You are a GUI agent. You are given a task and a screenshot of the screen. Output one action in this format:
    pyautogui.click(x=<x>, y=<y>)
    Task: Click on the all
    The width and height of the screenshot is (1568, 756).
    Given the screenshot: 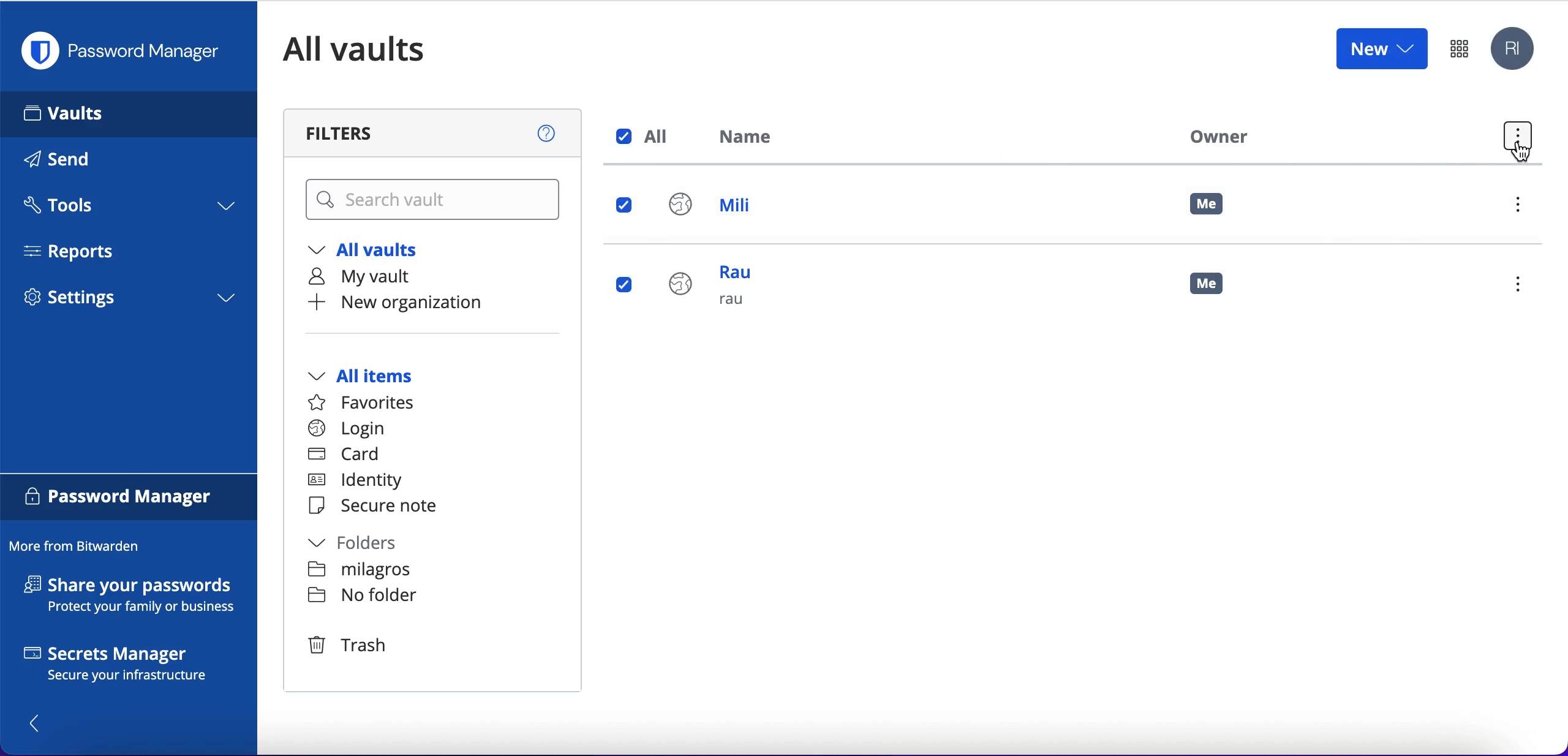 What is the action you would take?
    pyautogui.click(x=646, y=137)
    